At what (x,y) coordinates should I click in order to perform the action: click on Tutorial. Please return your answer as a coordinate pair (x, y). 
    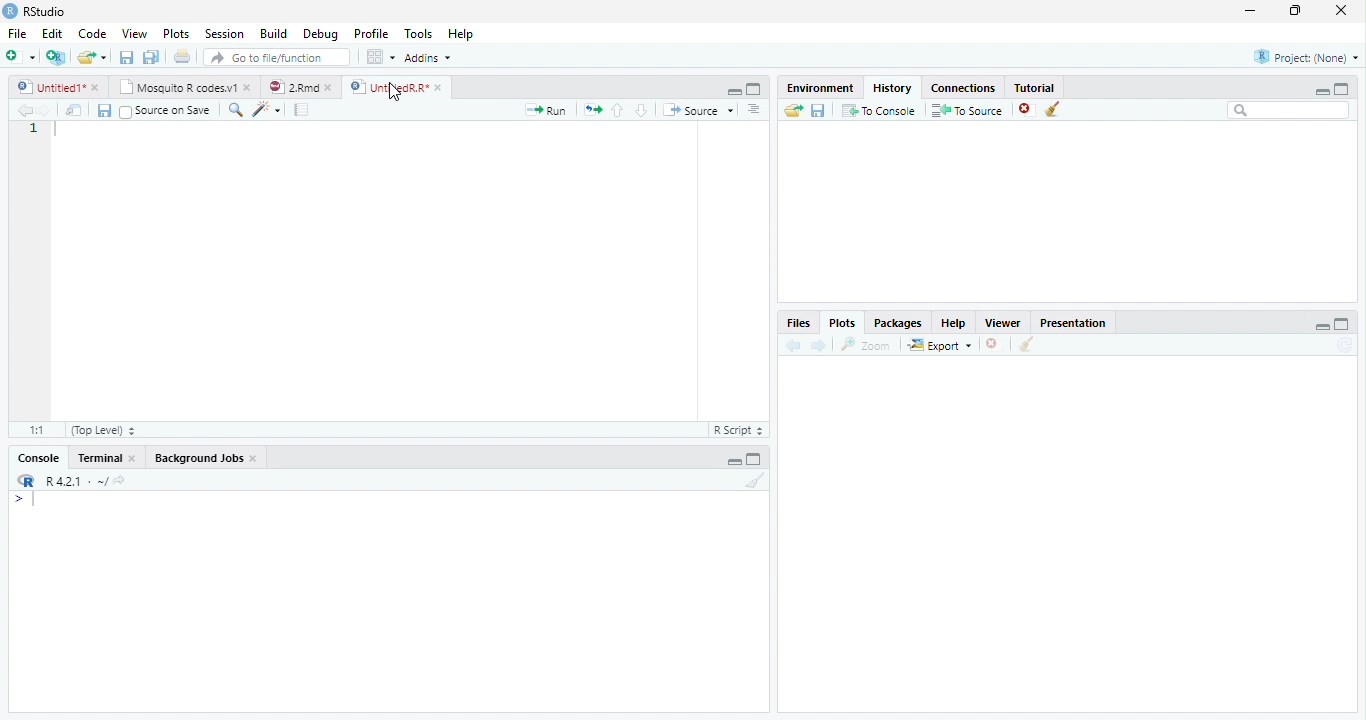
    Looking at the image, I should click on (1034, 86).